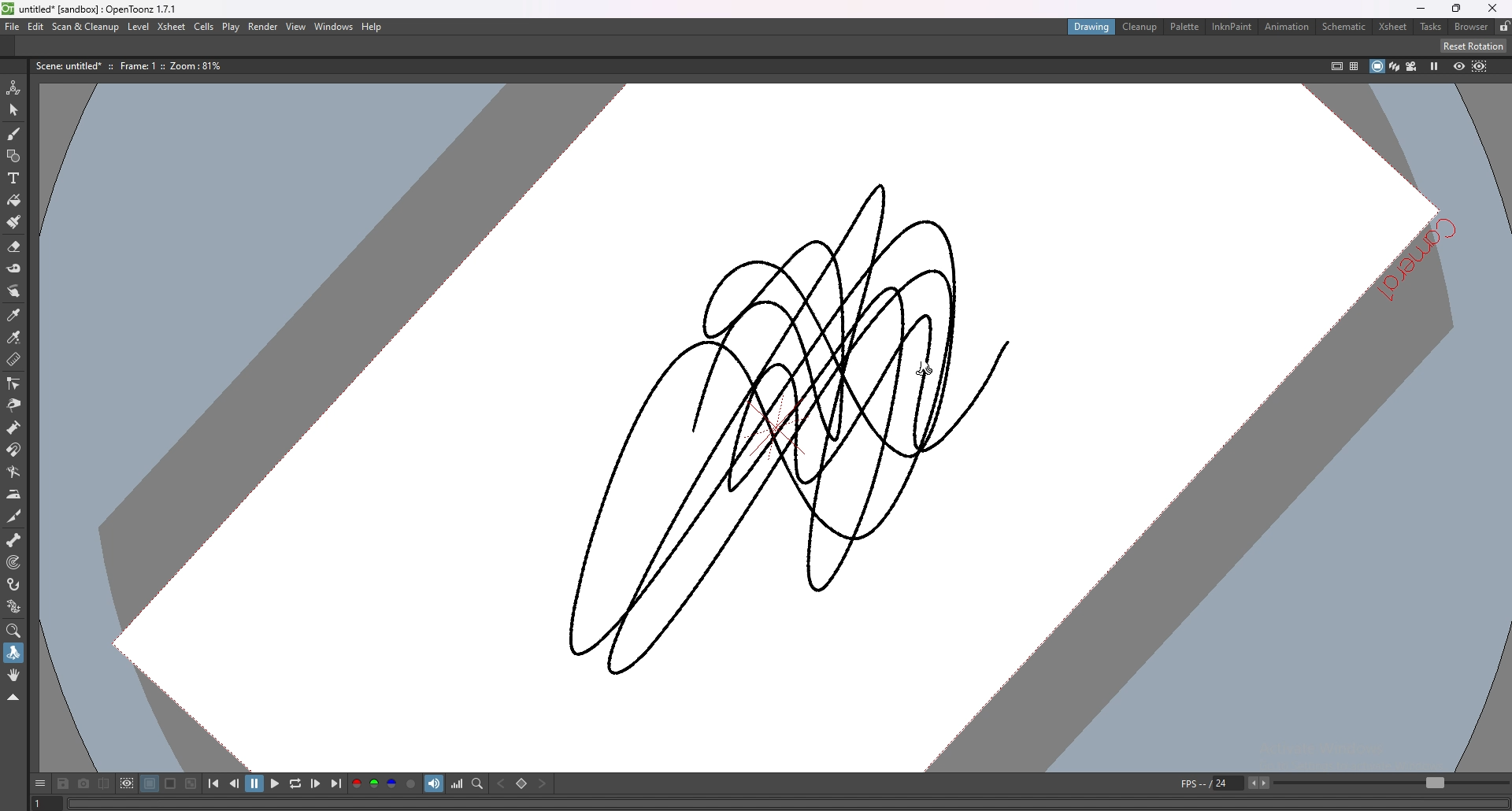 This screenshot has height=811, width=1512. I want to click on drawing, so click(1091, 28).